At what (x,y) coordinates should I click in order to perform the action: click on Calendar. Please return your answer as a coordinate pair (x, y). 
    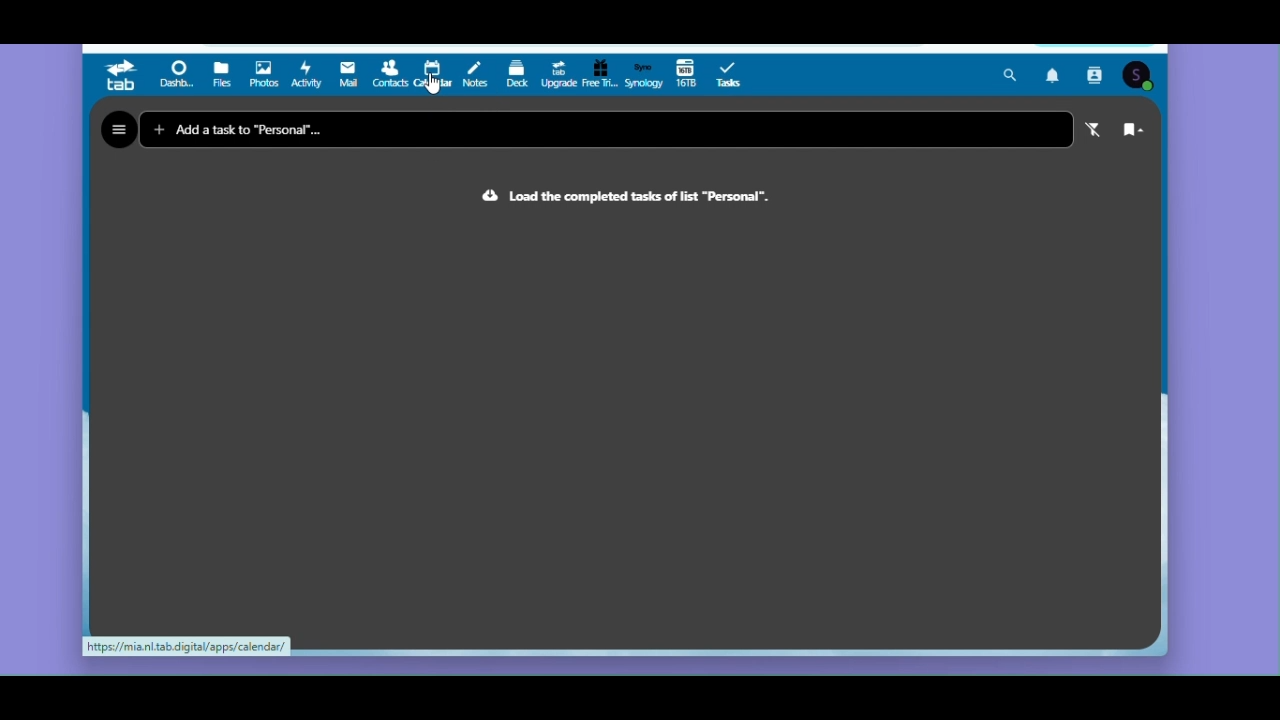
    Looking at the image, I should click on (433, 70).